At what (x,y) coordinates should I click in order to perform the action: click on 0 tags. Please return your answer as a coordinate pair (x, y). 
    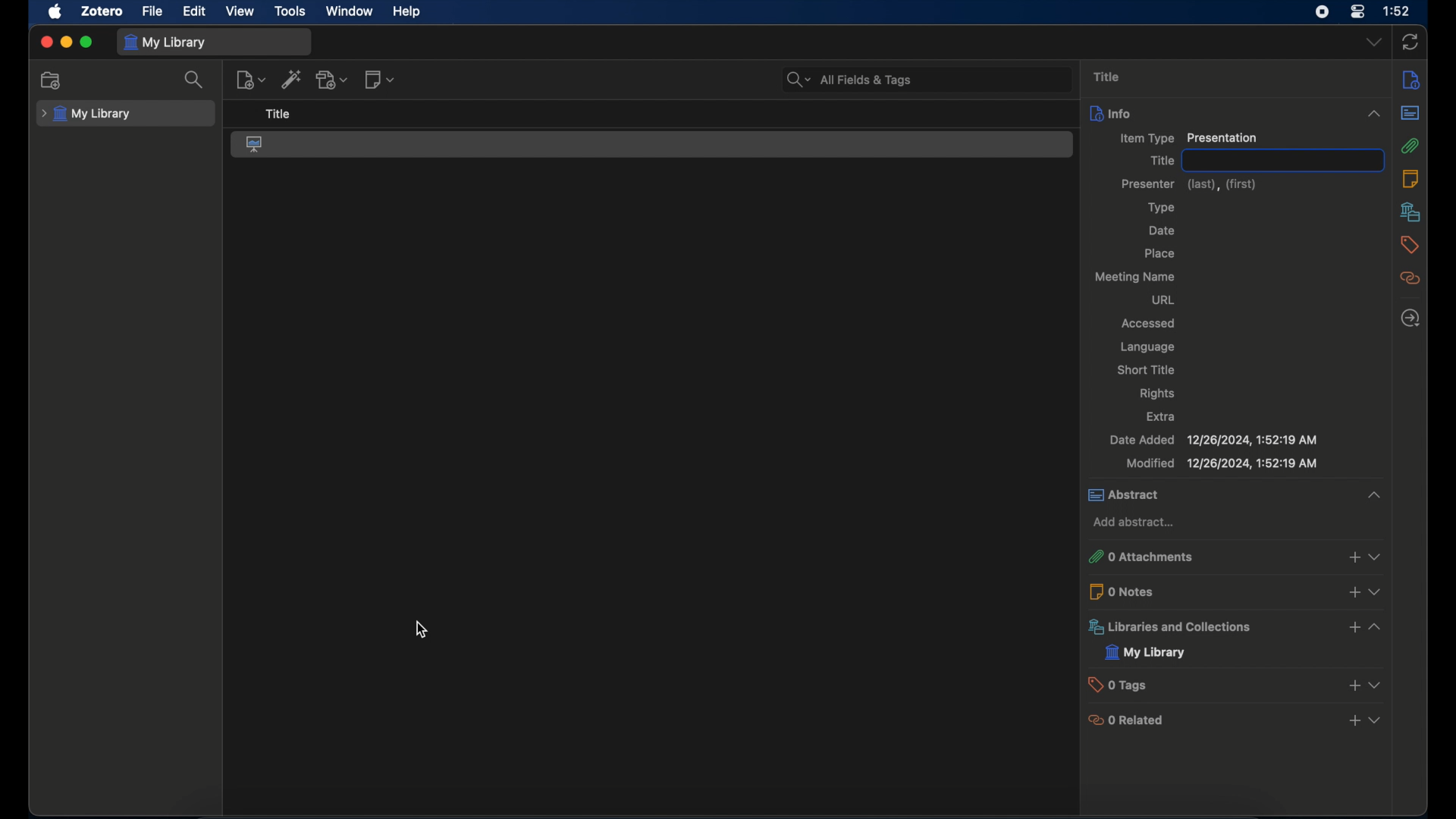
    Looking at the image, I should click on (1236, 684).